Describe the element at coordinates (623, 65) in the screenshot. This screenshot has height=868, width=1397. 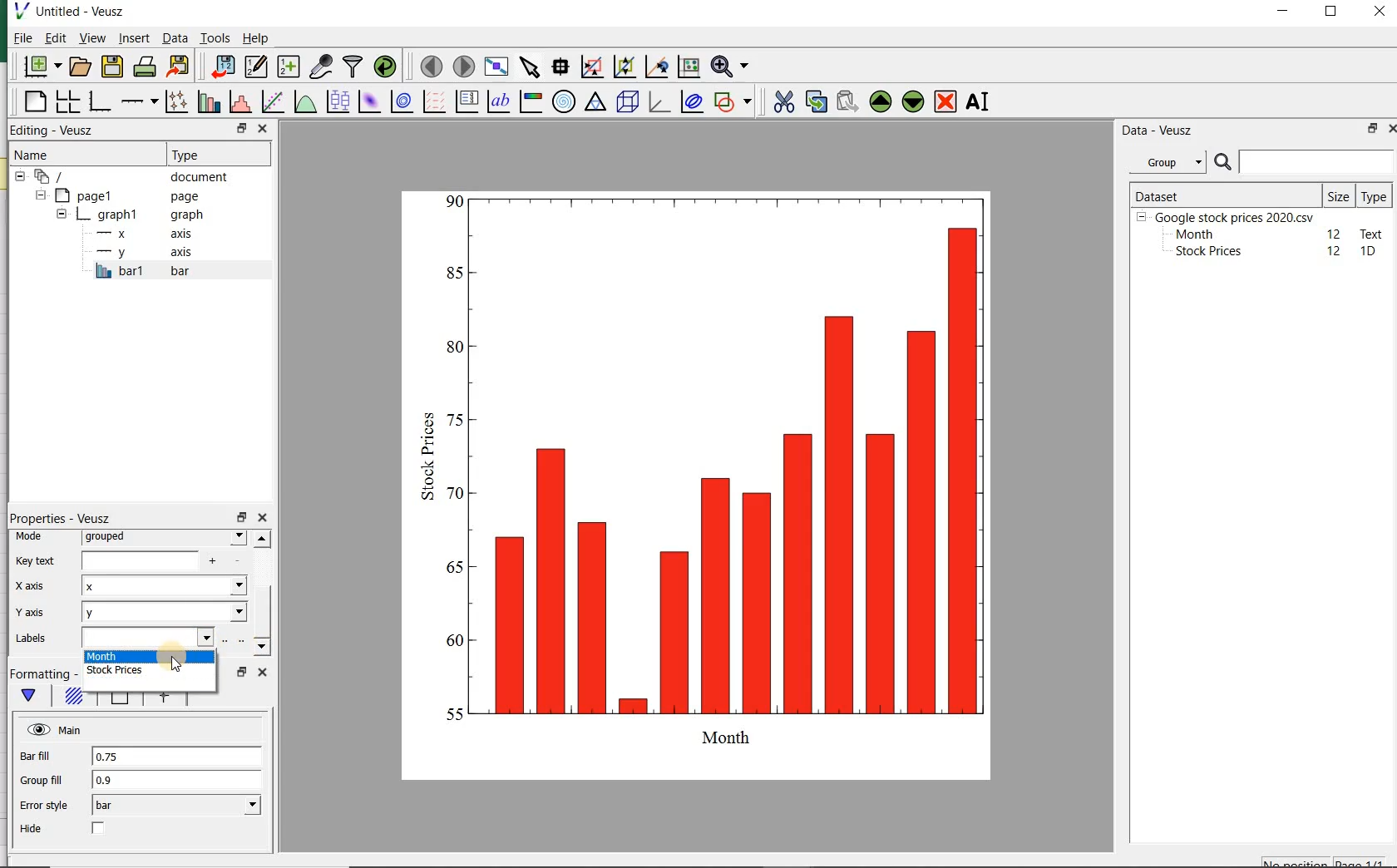
I see `click to zoom out of graph axes` at that location.